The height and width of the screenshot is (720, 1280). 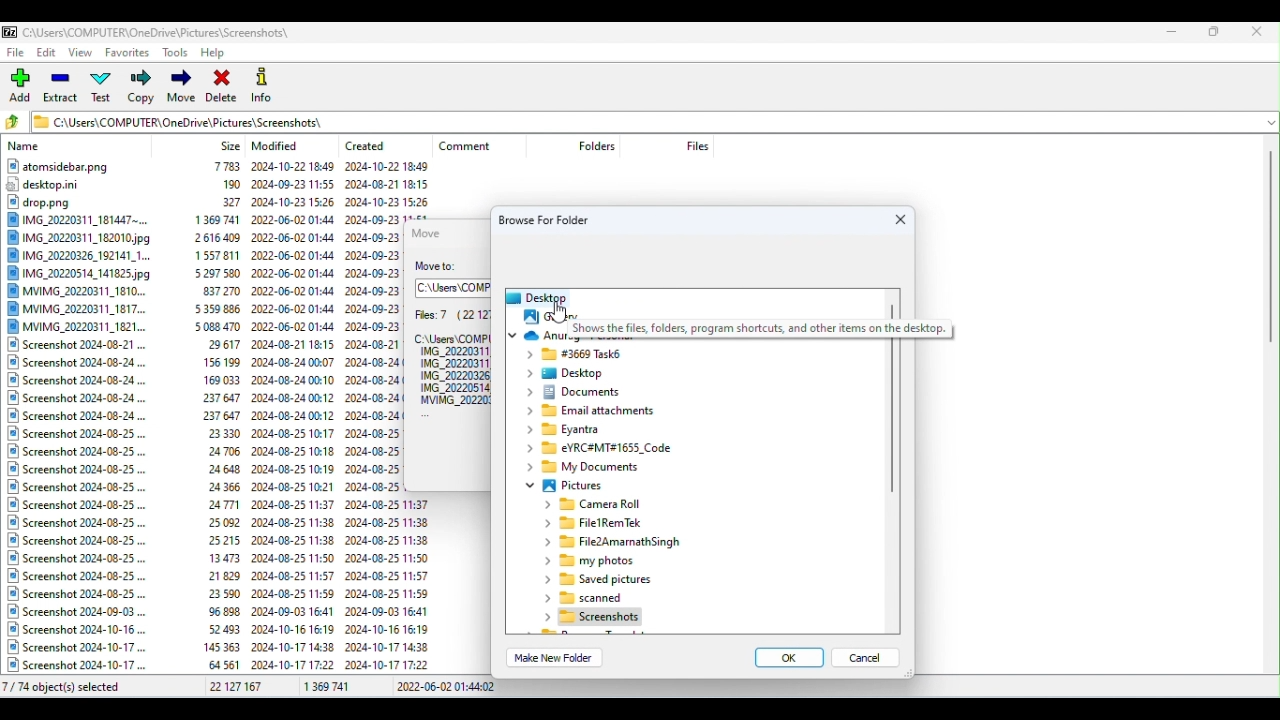 I want to click on Folder, so click(x=588, y=562).